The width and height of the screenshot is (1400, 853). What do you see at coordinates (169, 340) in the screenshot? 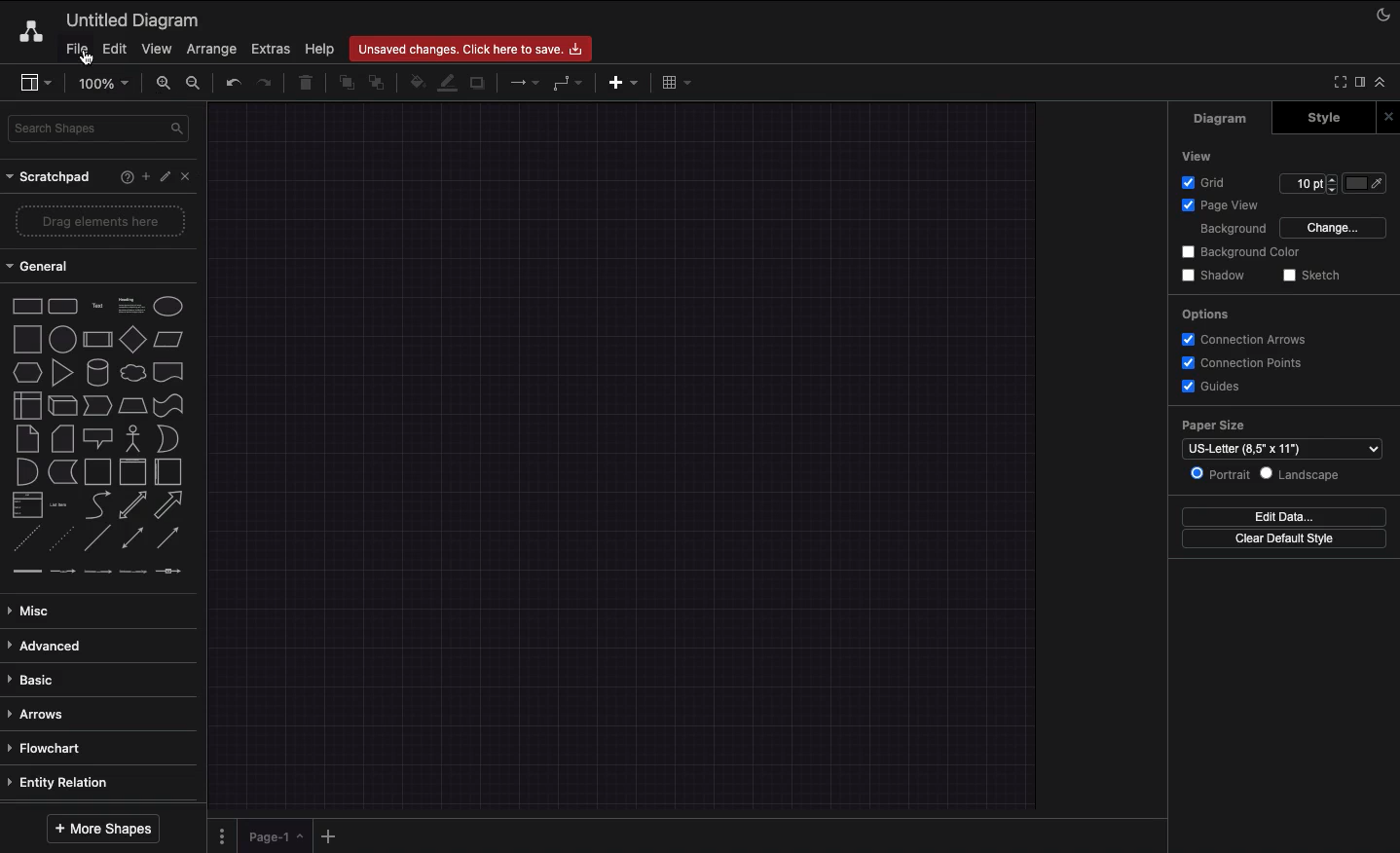
I see `Parallelogram` at bounding box center [169, 340].